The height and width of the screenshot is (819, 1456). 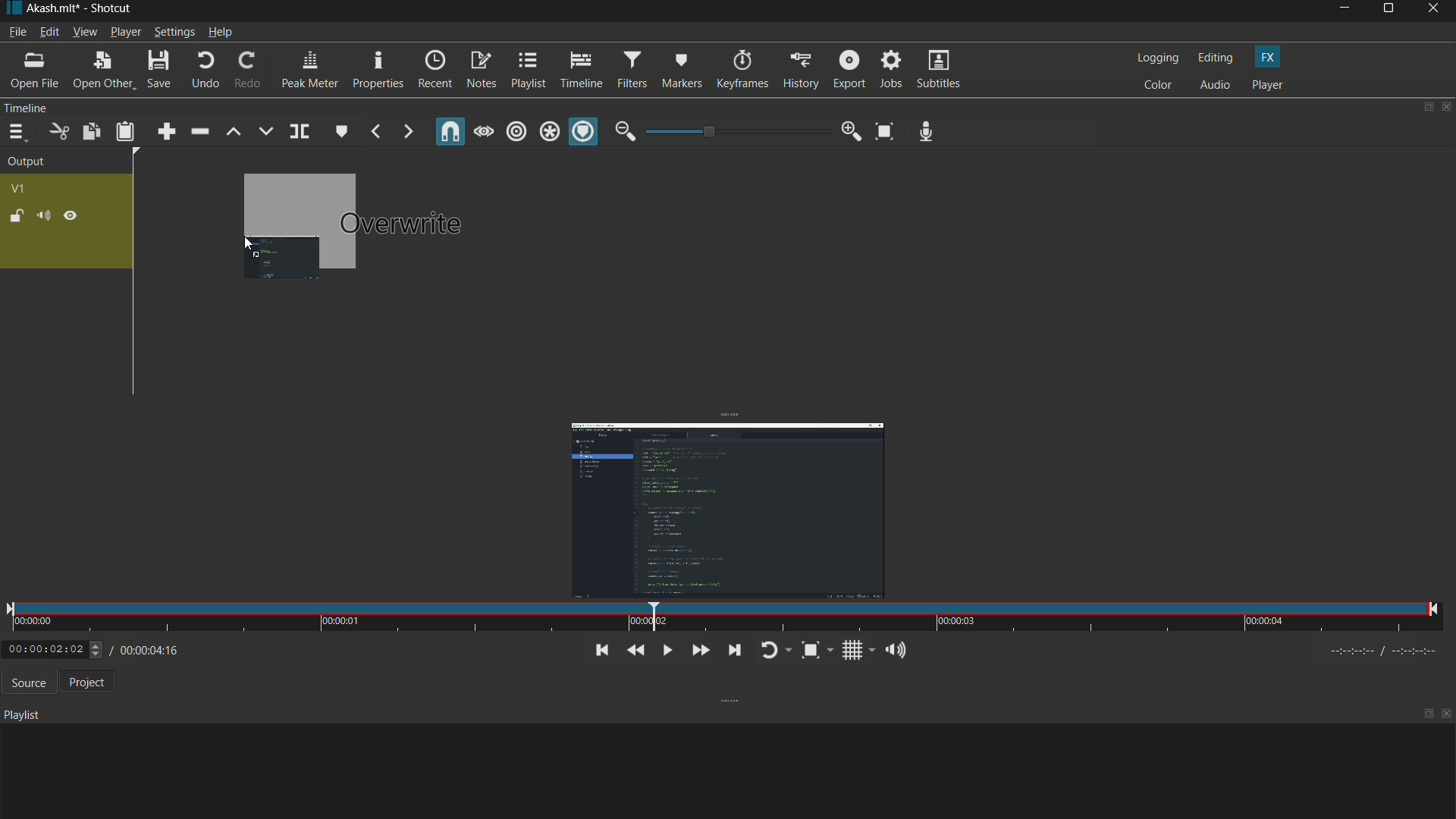 What do you see at coordinates (581, 68) in the screenshot?
I see `timeline` at bounding box center [581, 68].